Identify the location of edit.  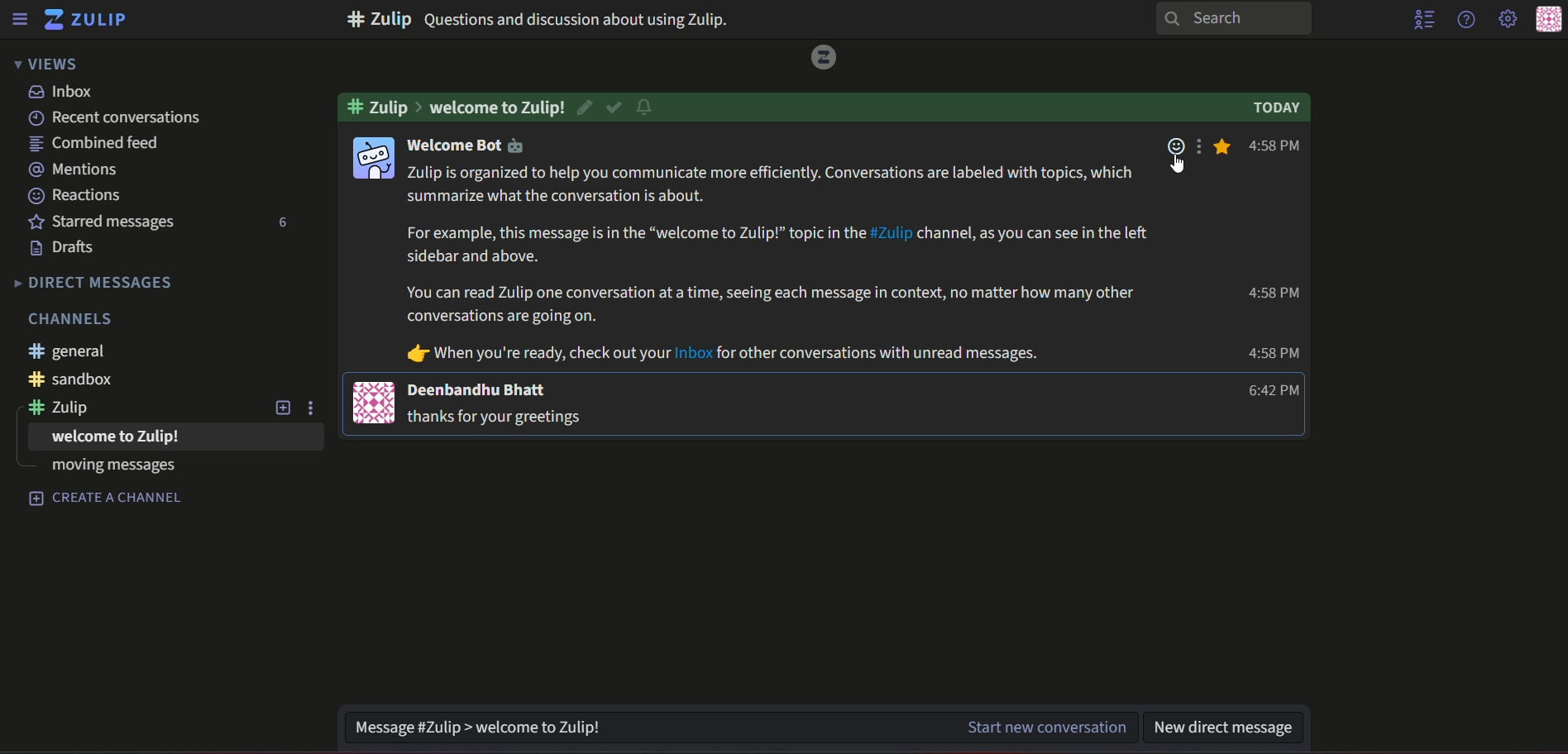
(584, 107).